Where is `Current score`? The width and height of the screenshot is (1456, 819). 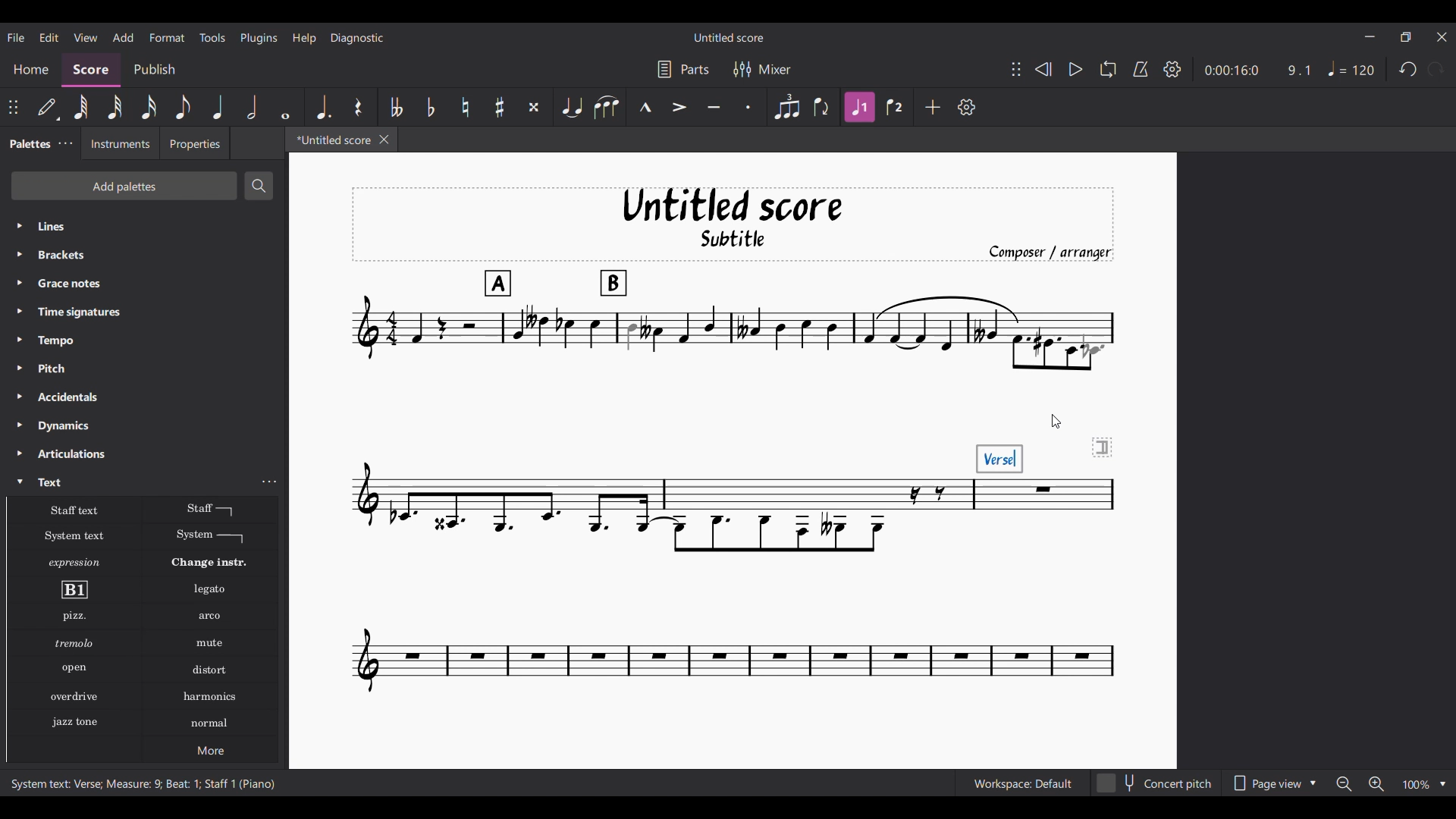 Current score is located at coordinates (1037, 585).